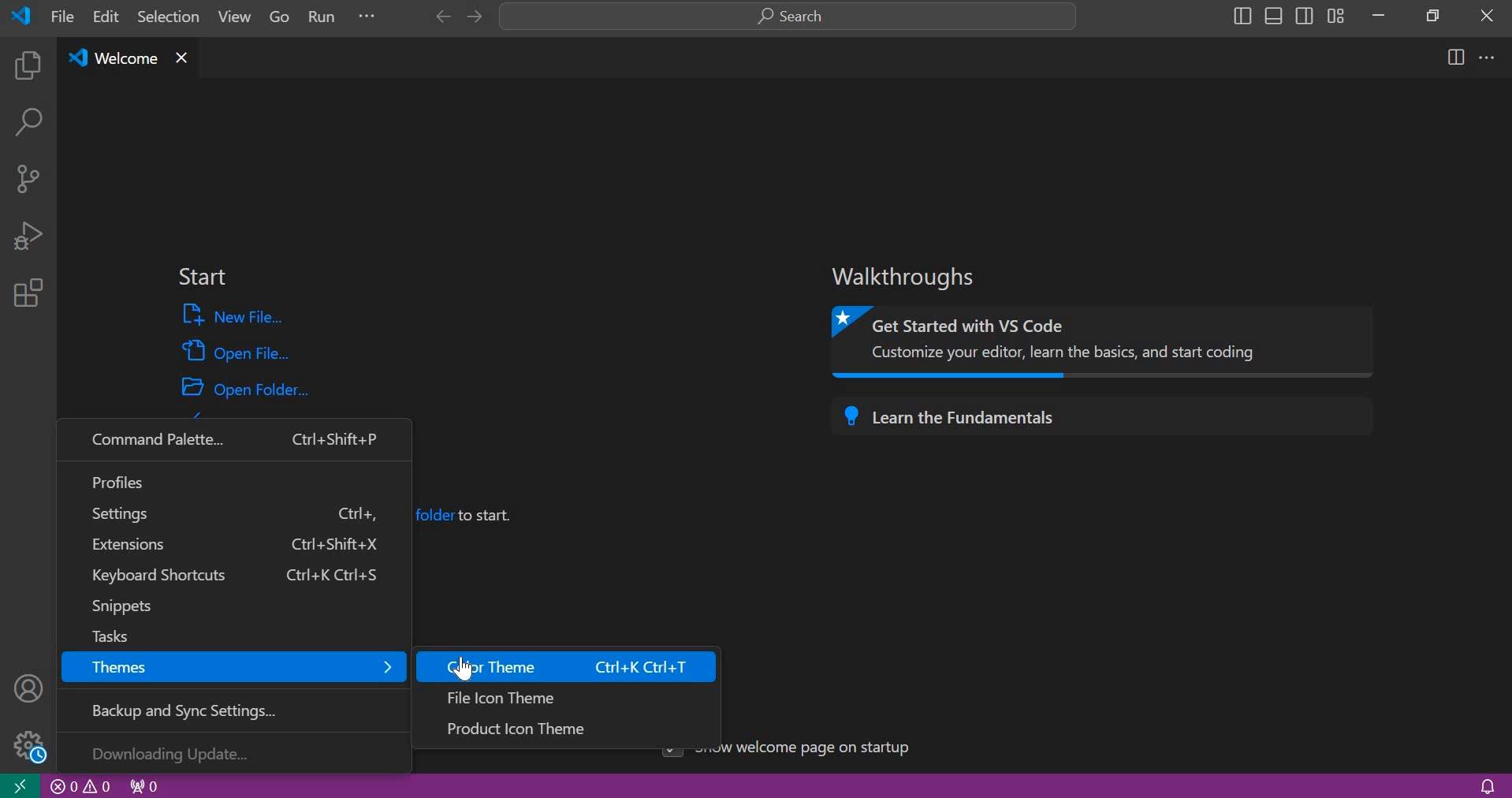  I want to click on no problems, so click(81, 786).